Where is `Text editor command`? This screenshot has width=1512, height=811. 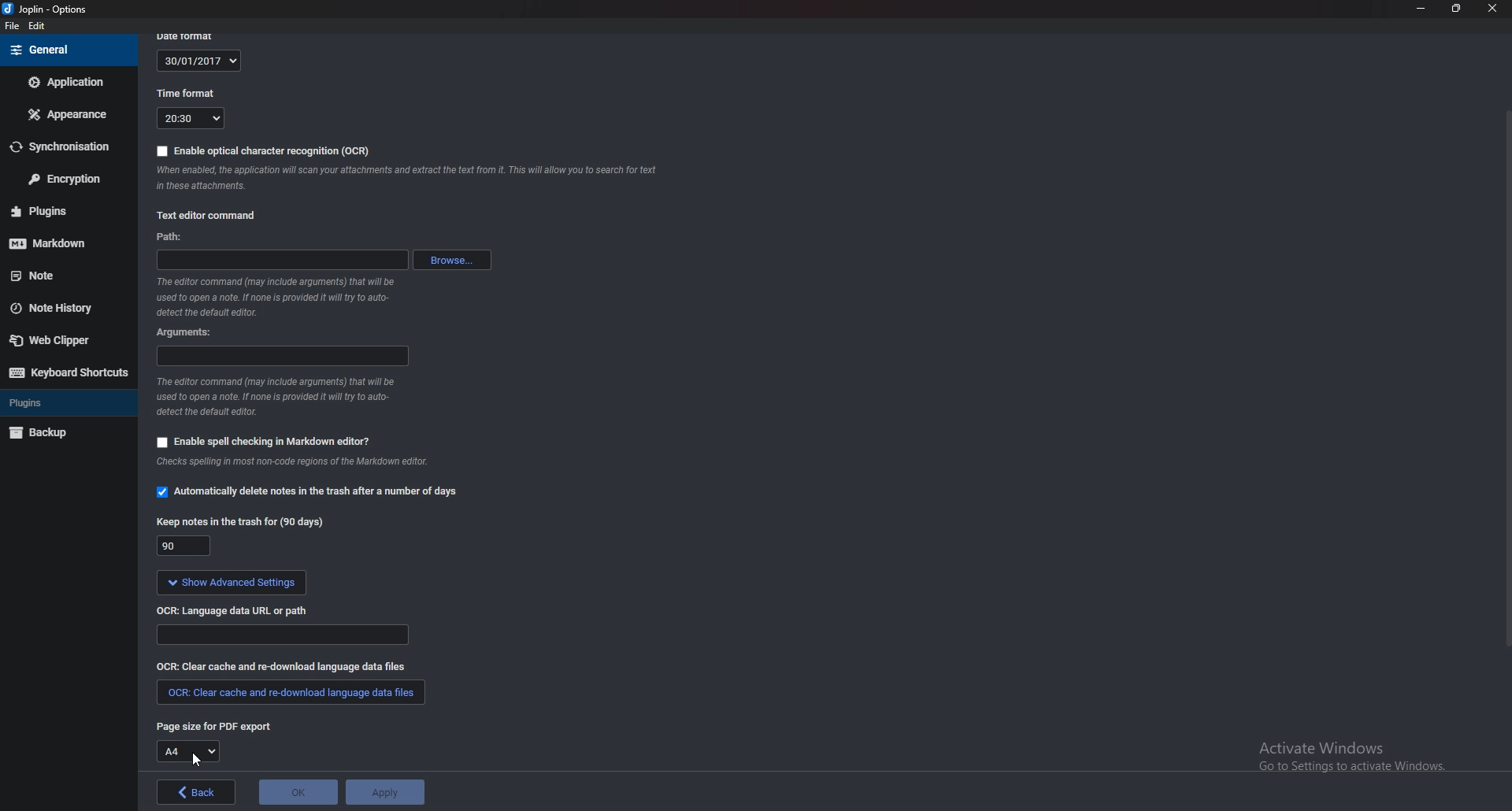
Text editor command is located at coordinates (209, 216).